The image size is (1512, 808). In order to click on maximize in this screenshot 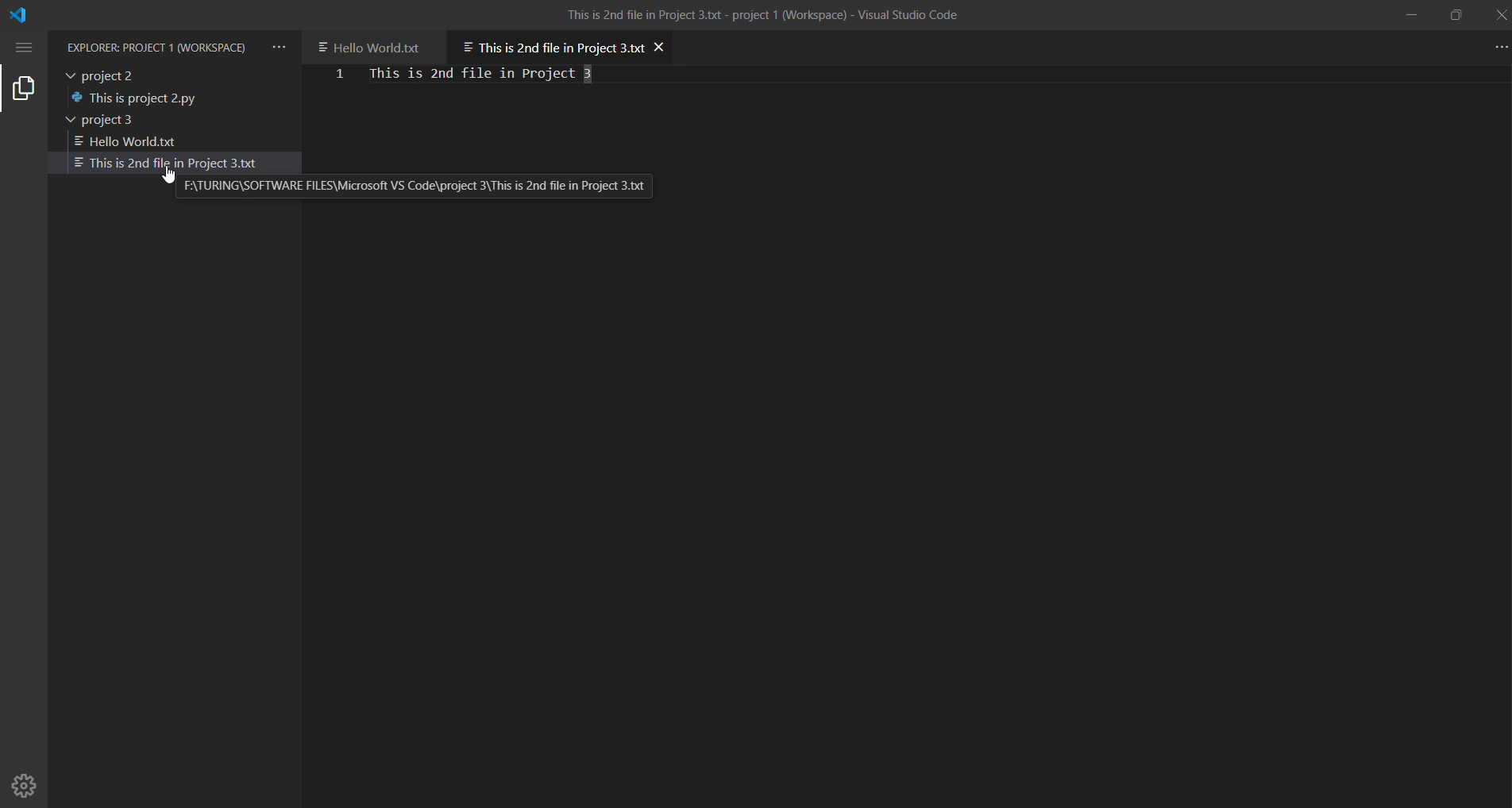, I will do `click(1457, 14)`.